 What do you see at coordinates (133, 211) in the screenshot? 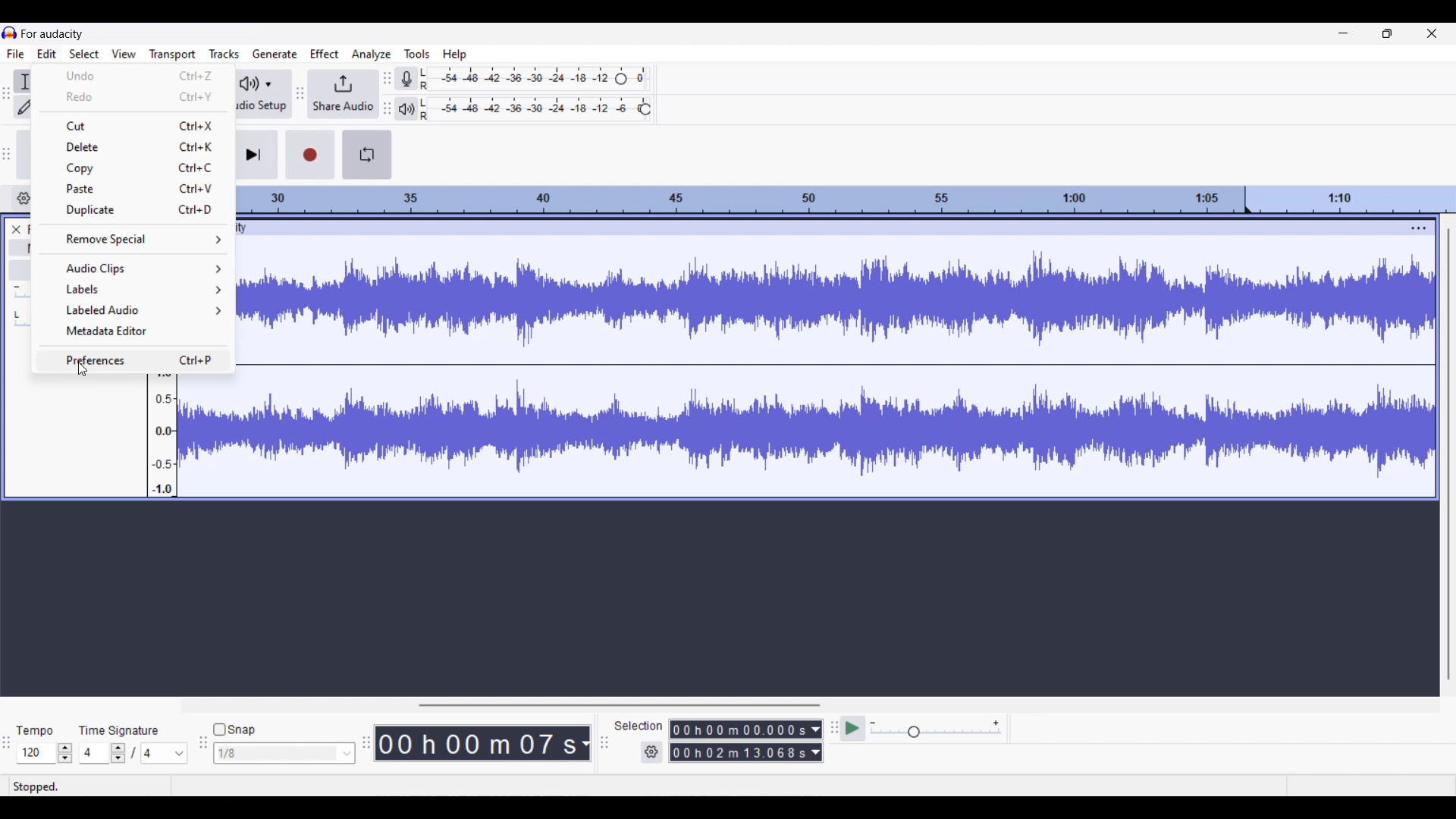
I see `Duplicate` at bounding box center [133, 211].